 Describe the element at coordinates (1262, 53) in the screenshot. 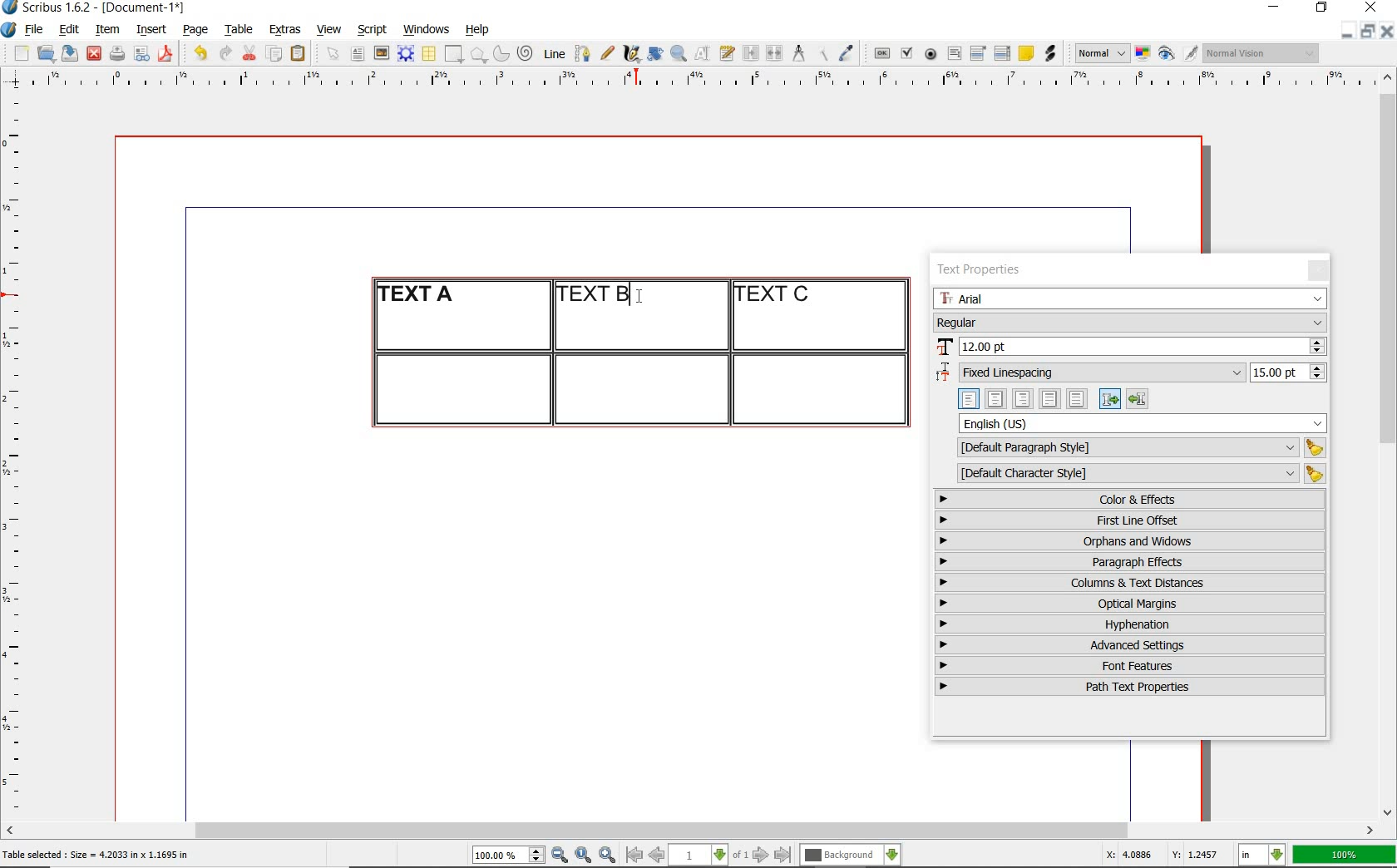

I see `visual appearance of the display` at that location.